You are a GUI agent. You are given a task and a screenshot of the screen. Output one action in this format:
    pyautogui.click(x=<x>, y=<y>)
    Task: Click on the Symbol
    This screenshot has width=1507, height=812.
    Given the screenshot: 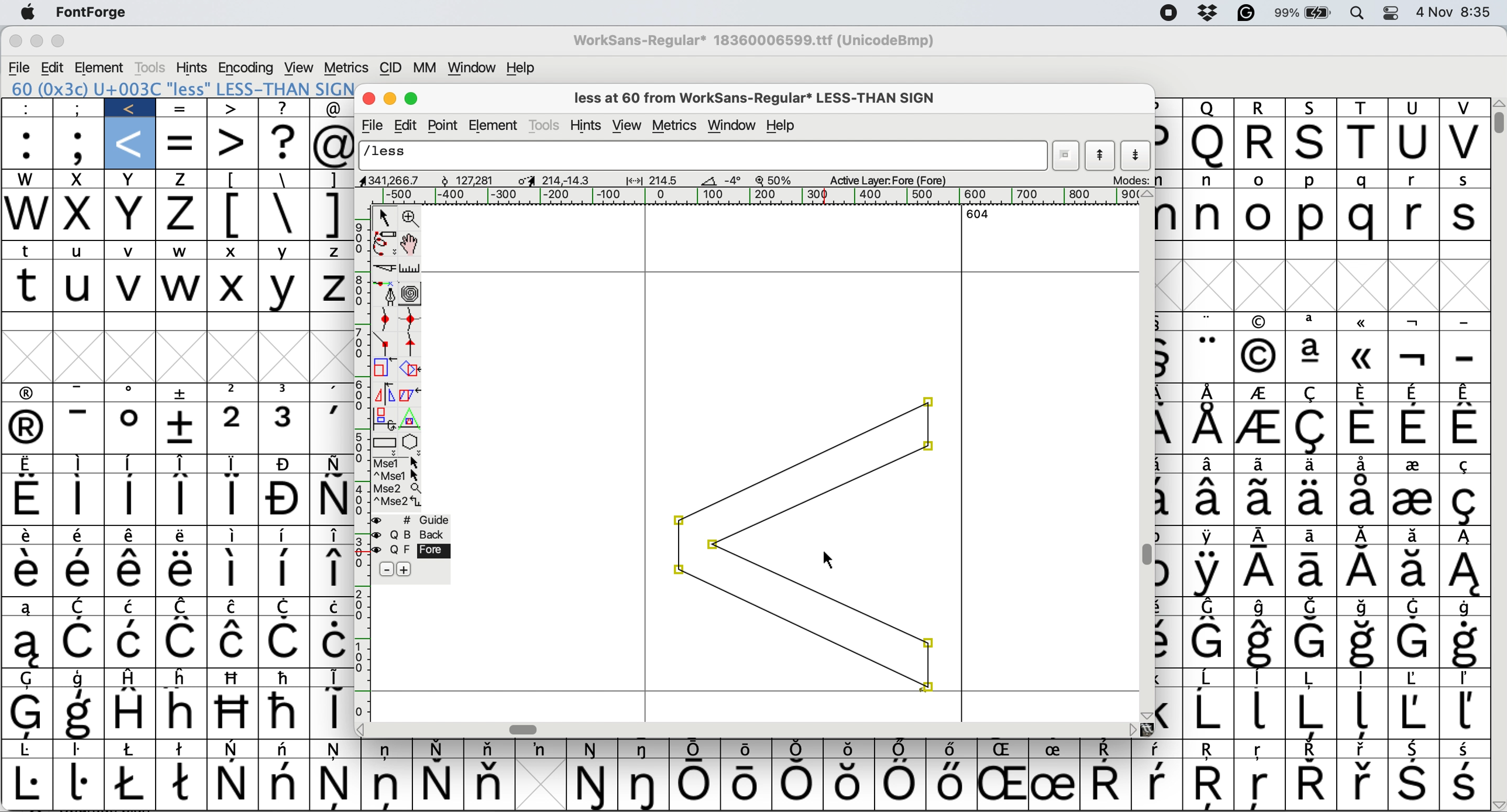 What is the action you would take?
    pyautogui.click(x=287, y=501)
    